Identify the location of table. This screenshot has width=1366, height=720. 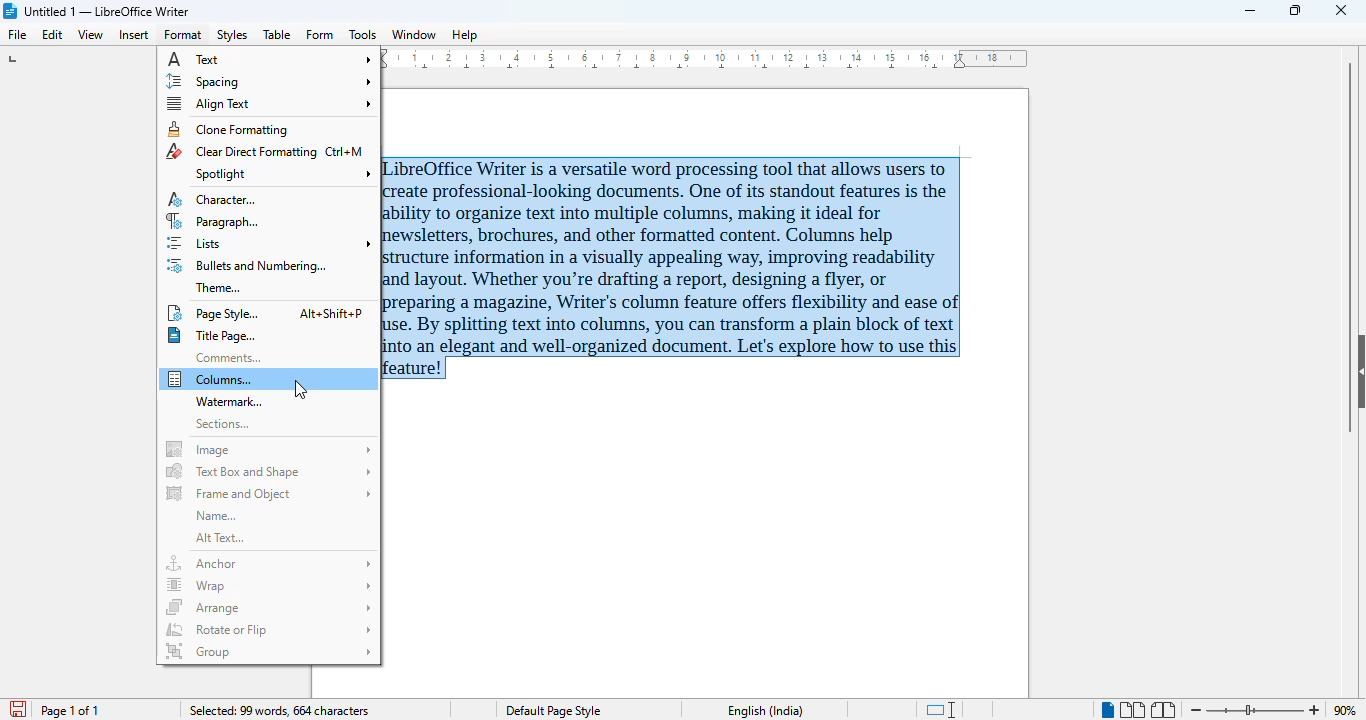
(277, 34).